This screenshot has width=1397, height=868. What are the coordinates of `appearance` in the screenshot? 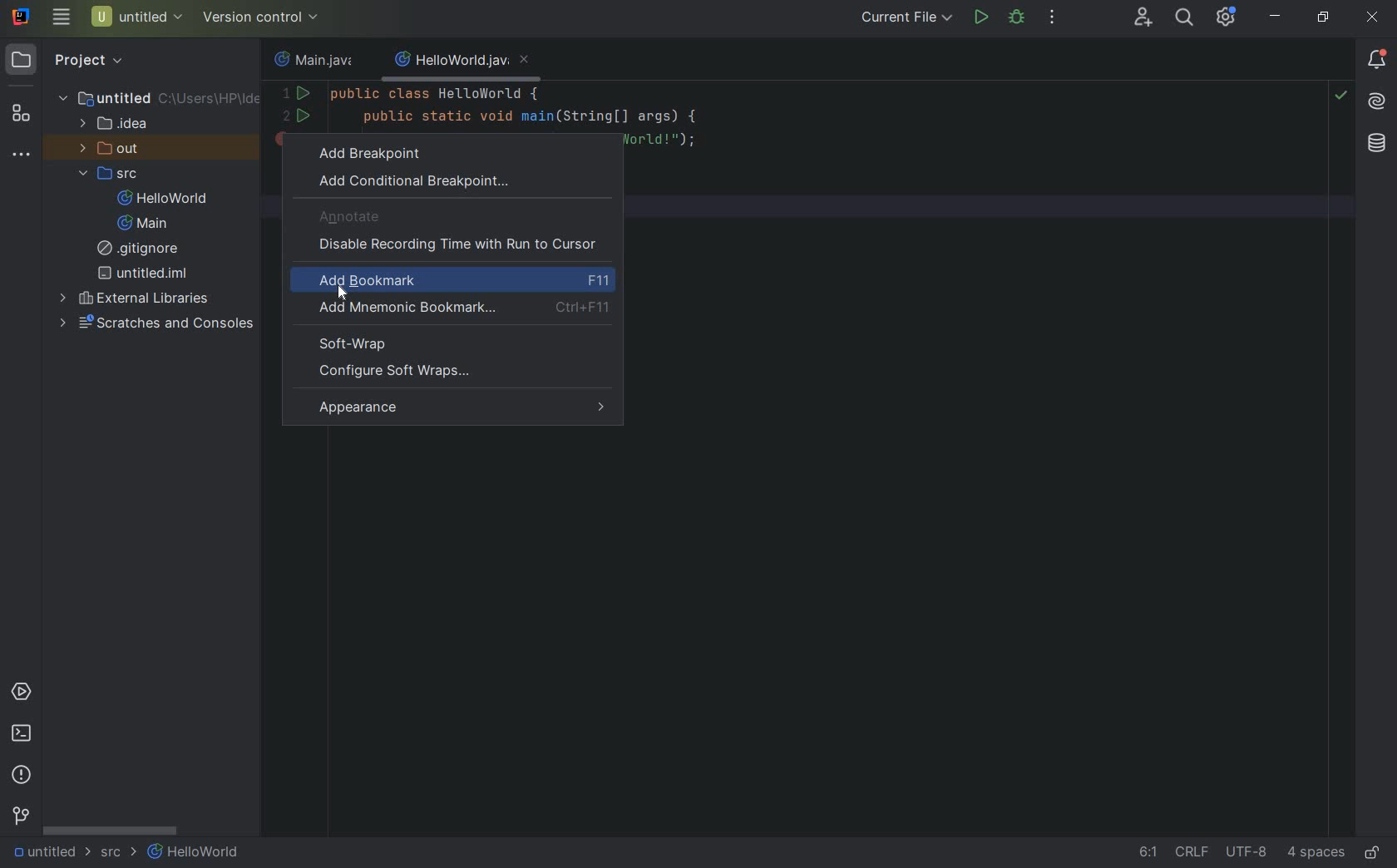 It's located at (462, 409).